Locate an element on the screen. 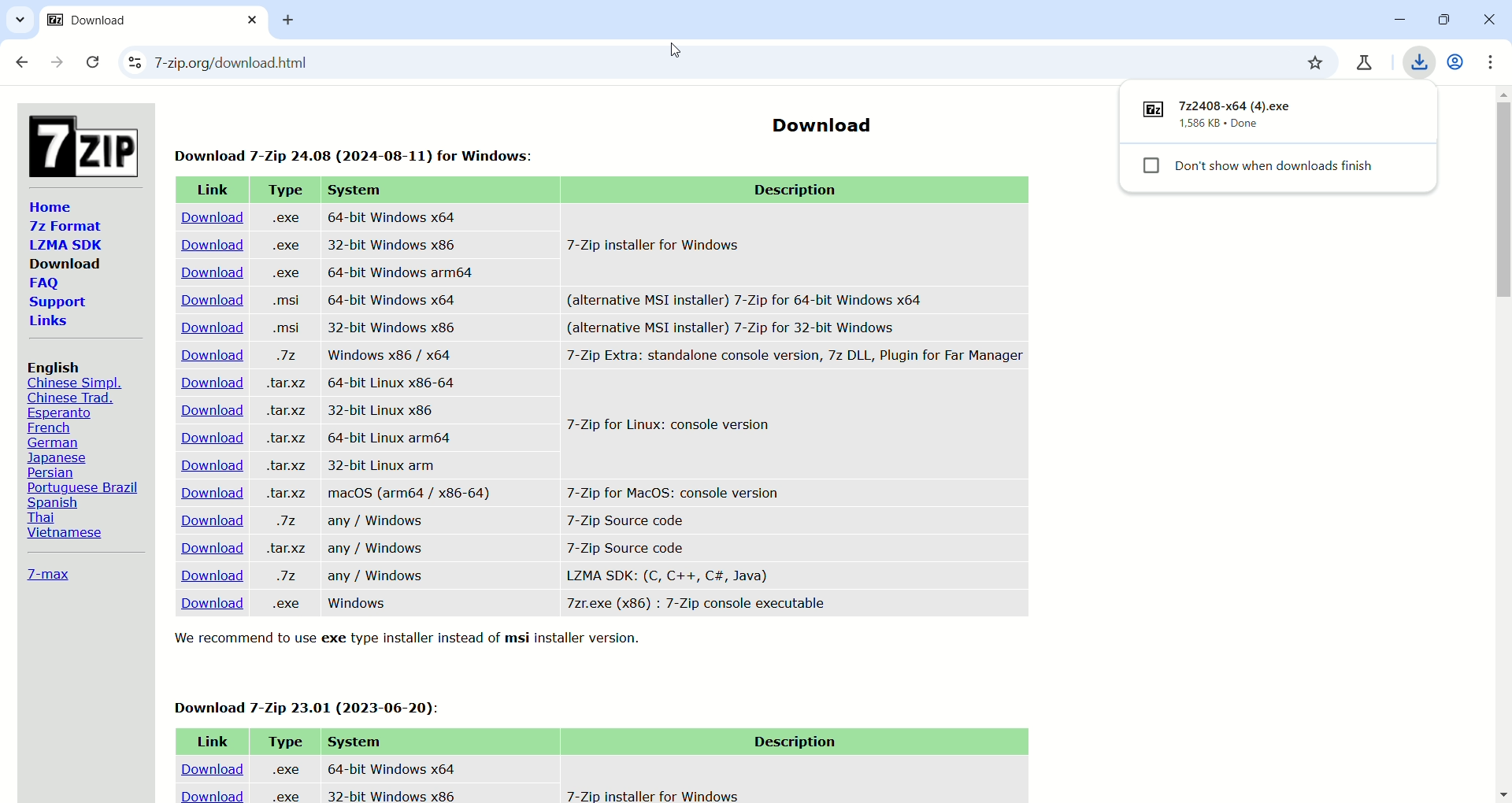  any / Windows is located at coordinates (384, 523).